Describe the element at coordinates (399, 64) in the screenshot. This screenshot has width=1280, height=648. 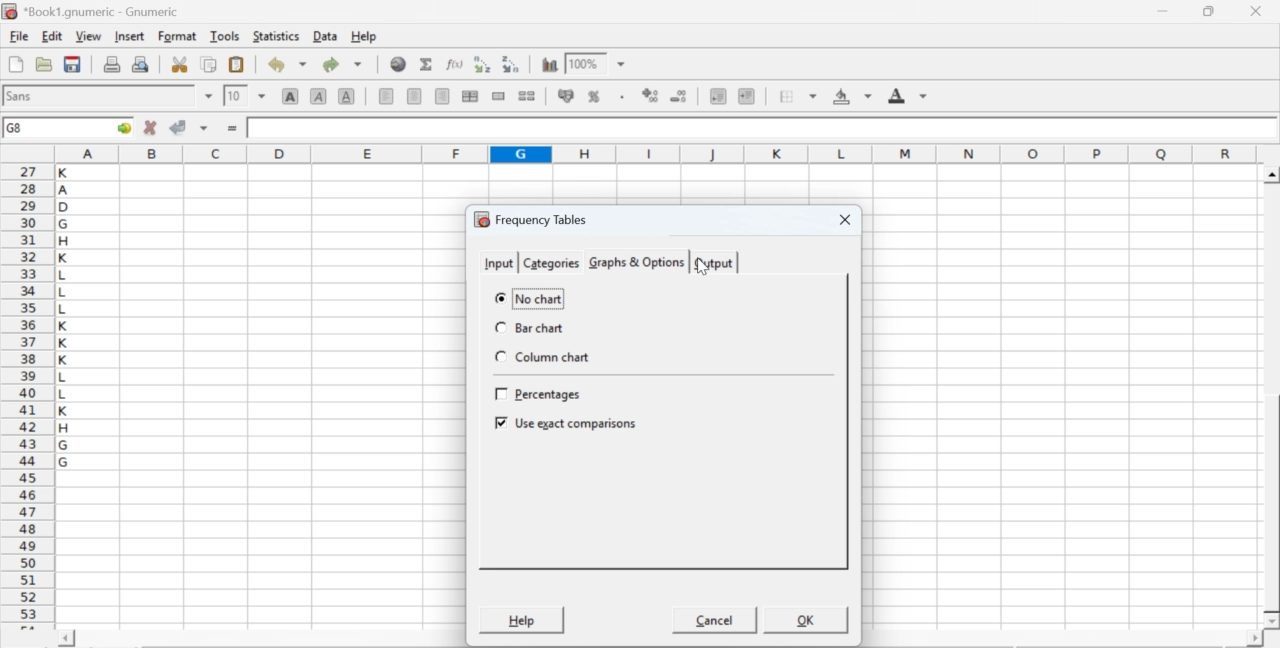
I see `insert hyperlink` at that location.